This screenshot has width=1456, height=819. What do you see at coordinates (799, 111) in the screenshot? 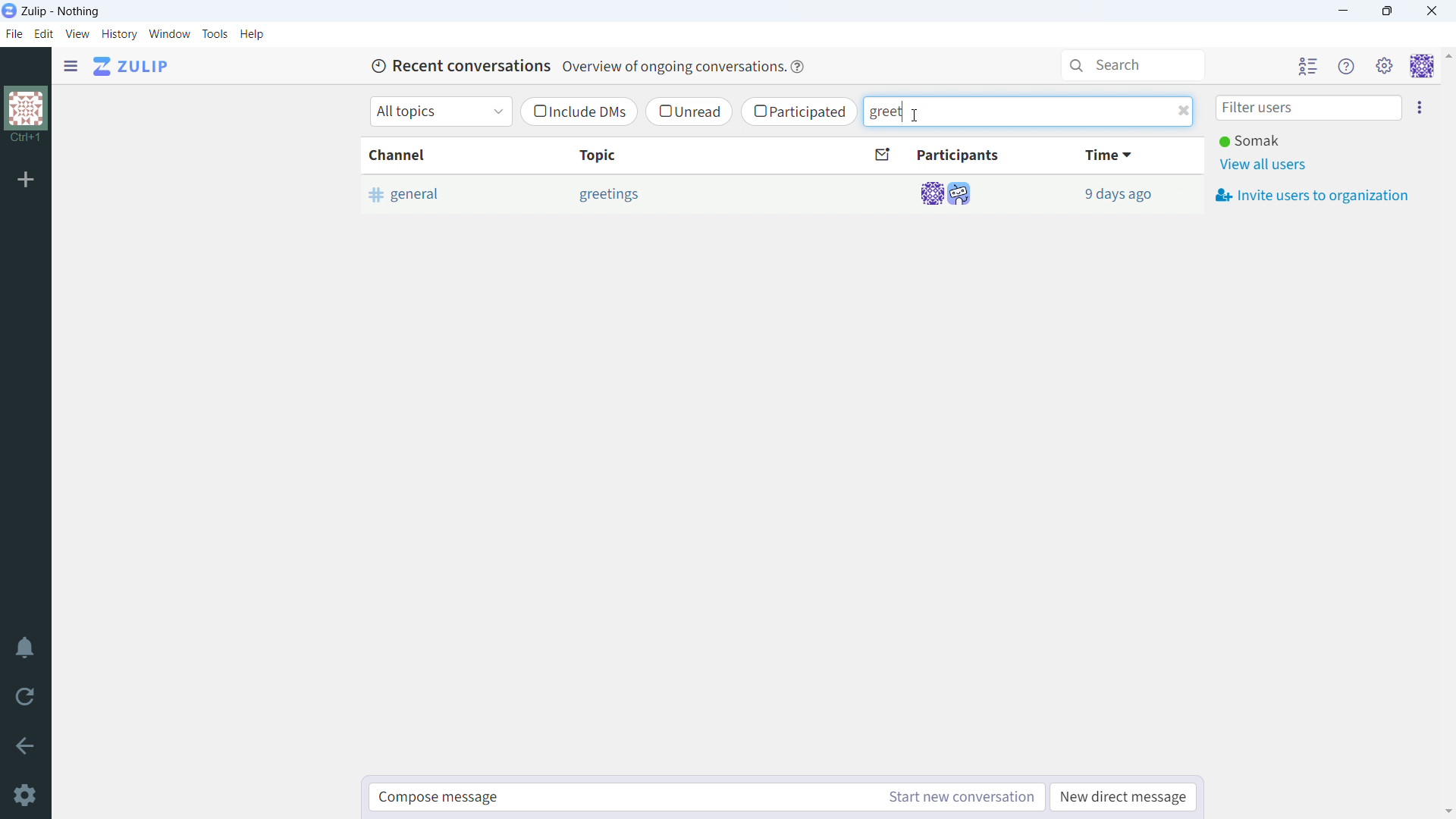
I see `participated` at bounding box center [799, 111].